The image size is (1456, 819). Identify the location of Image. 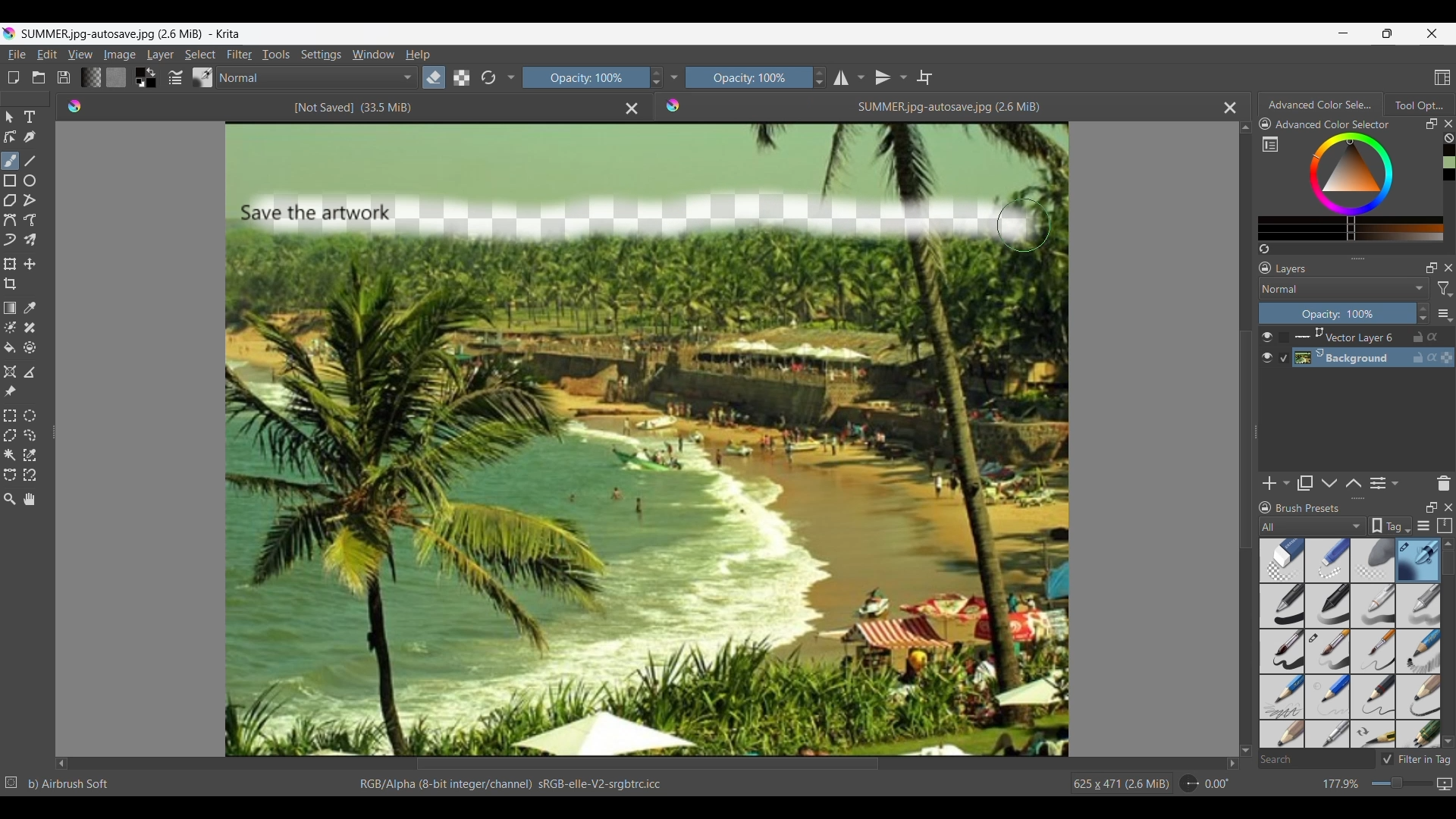
(119, 55).